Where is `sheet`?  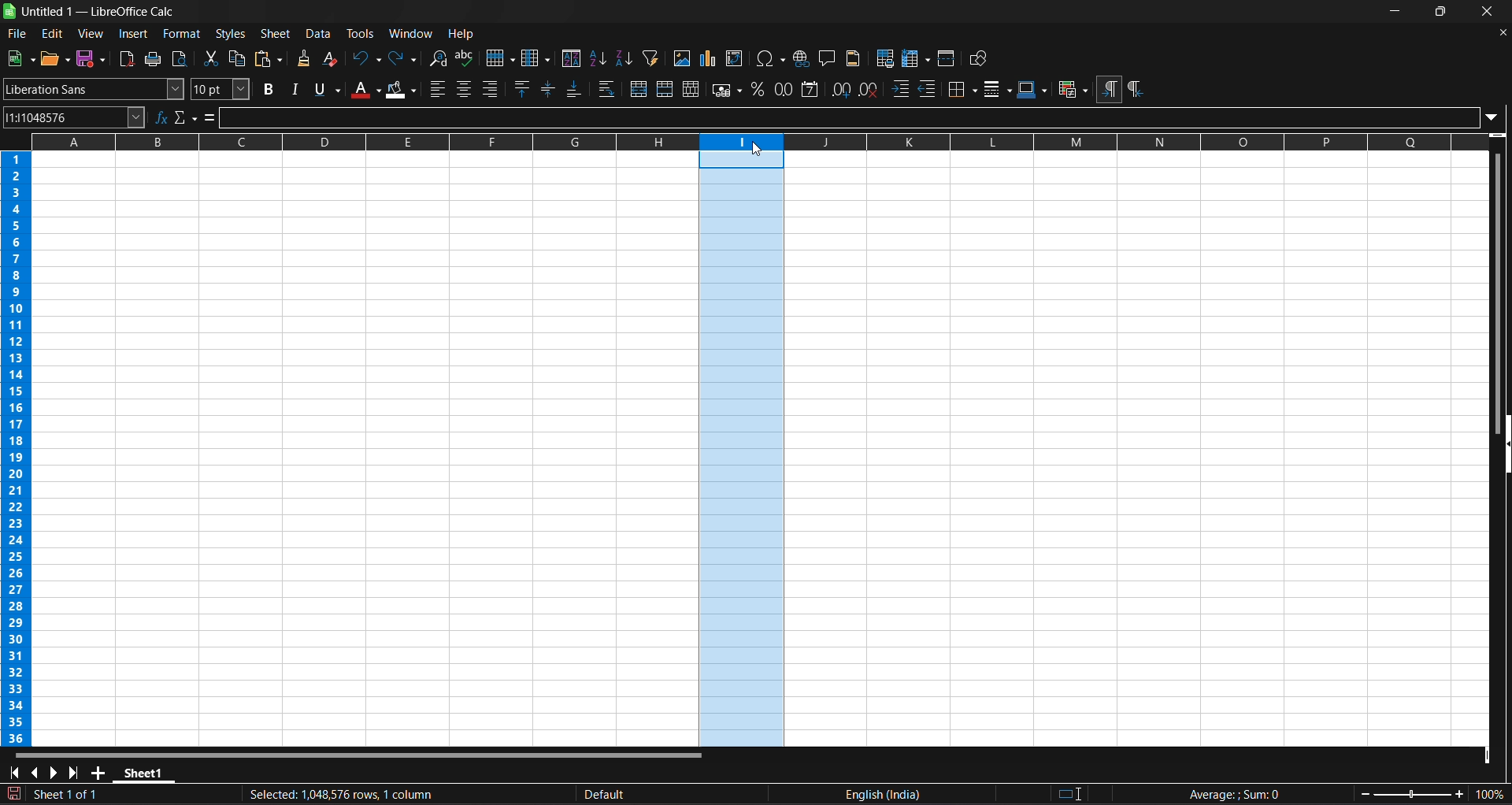
sheet is located at coordinates (275, 33).